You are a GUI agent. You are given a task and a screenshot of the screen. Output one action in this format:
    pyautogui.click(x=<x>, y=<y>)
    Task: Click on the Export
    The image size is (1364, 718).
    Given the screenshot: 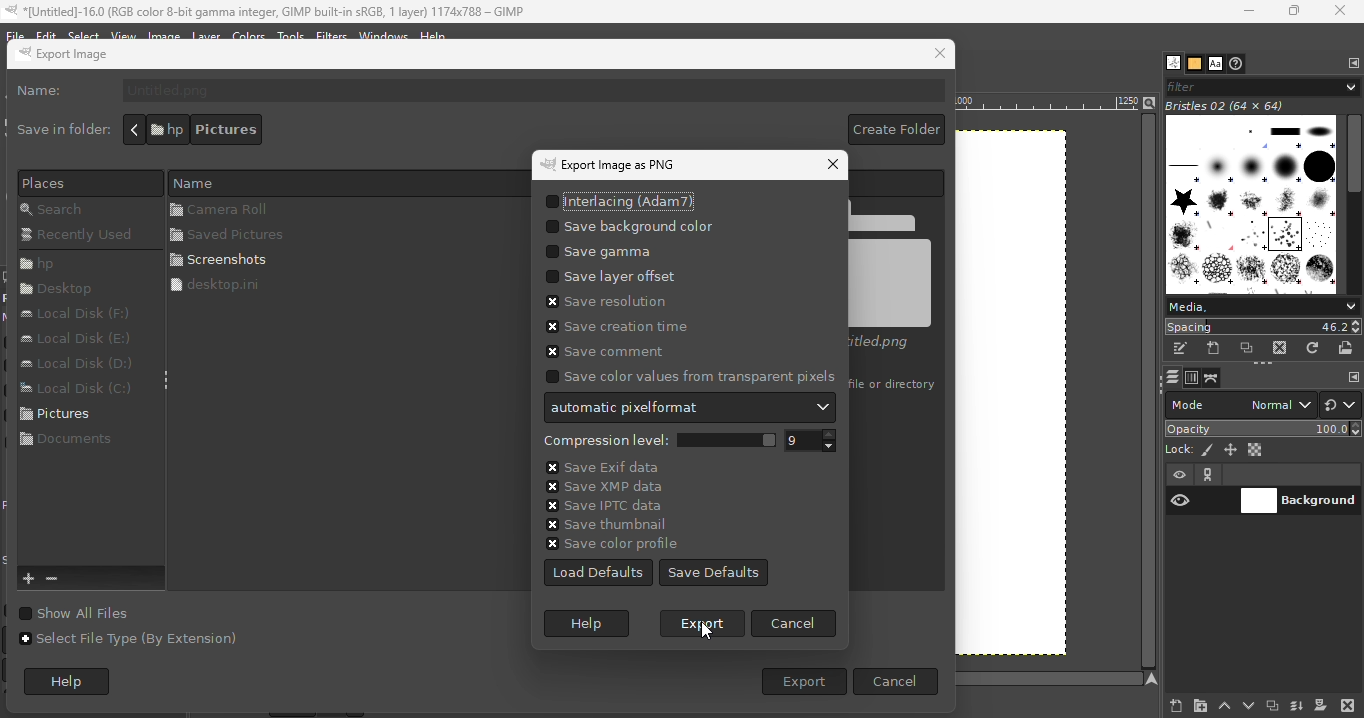 What is the action you would take?
    pyautogui.click(x=703, y=624)
    